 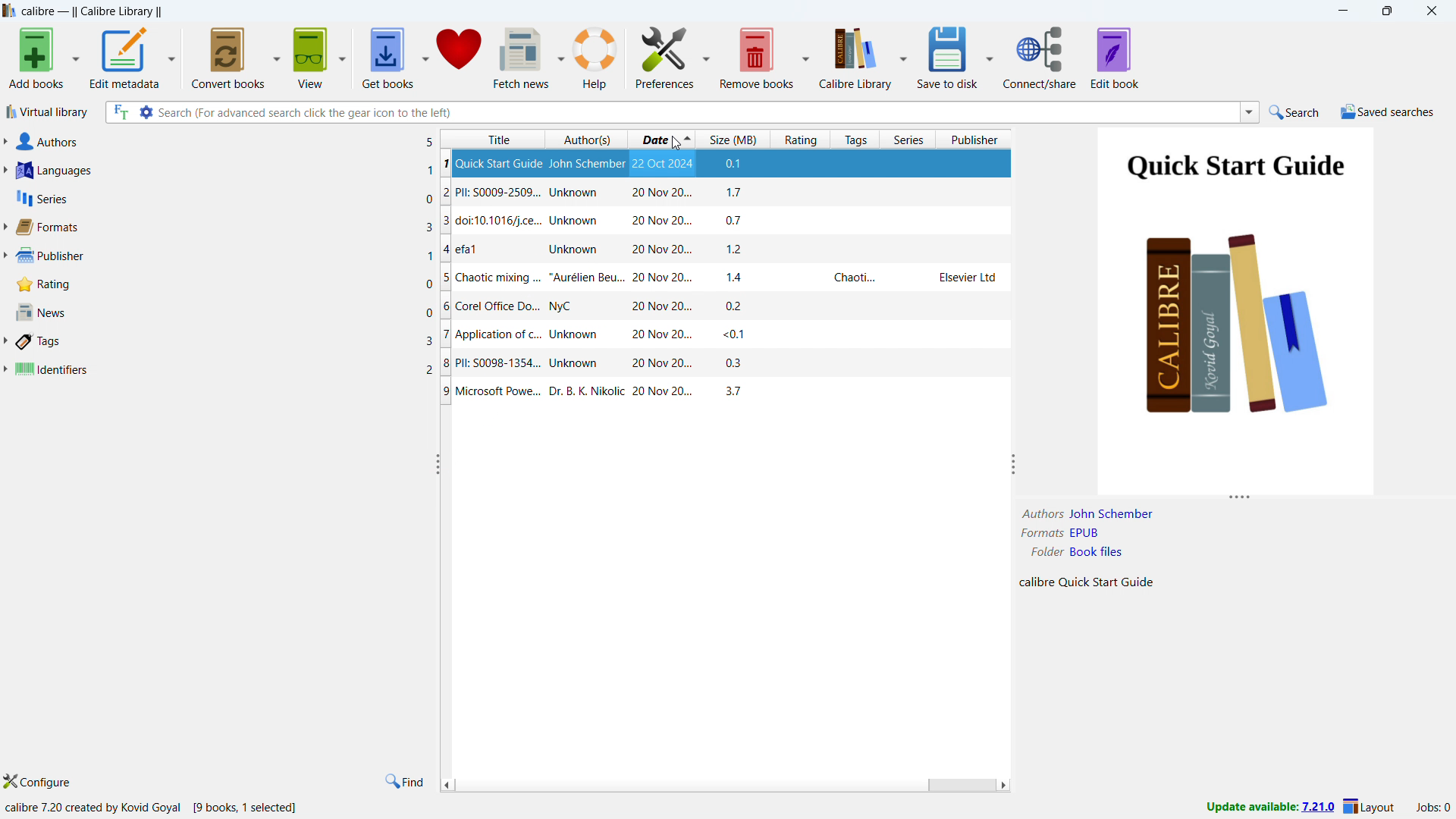 I want to click on scroll right, so click(x=1002, y=786).